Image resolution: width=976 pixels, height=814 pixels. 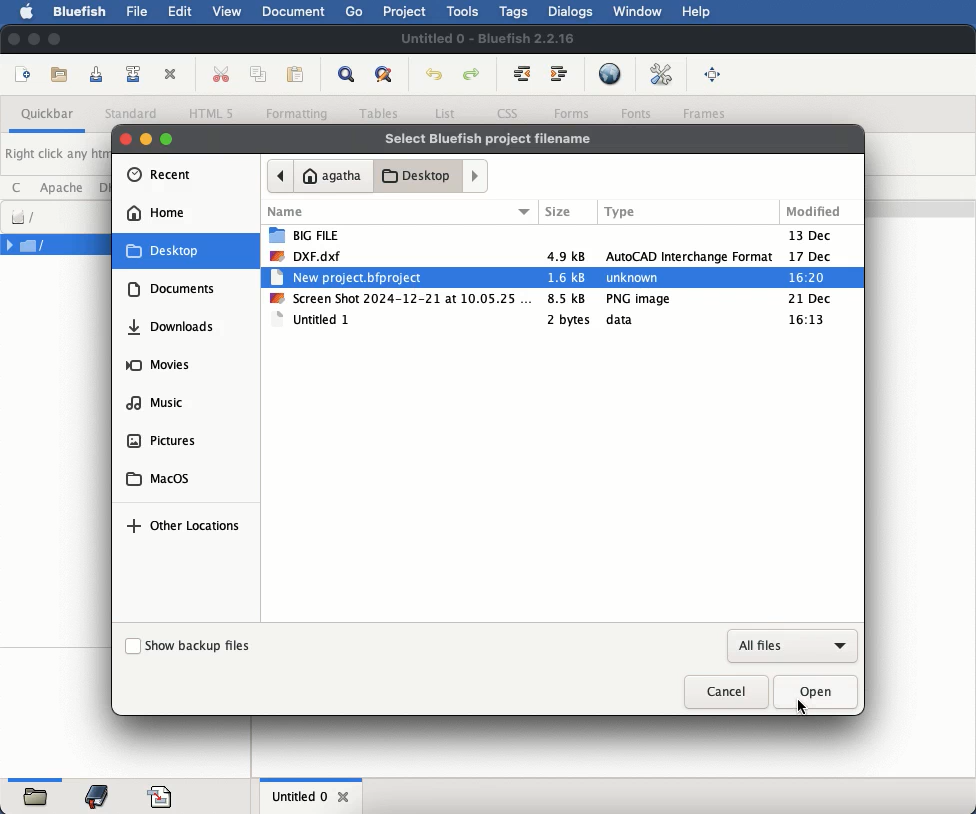 What do you see at coordinates (159, 404) in the screenshot?
I see `music` at bounding box center [159, 404].